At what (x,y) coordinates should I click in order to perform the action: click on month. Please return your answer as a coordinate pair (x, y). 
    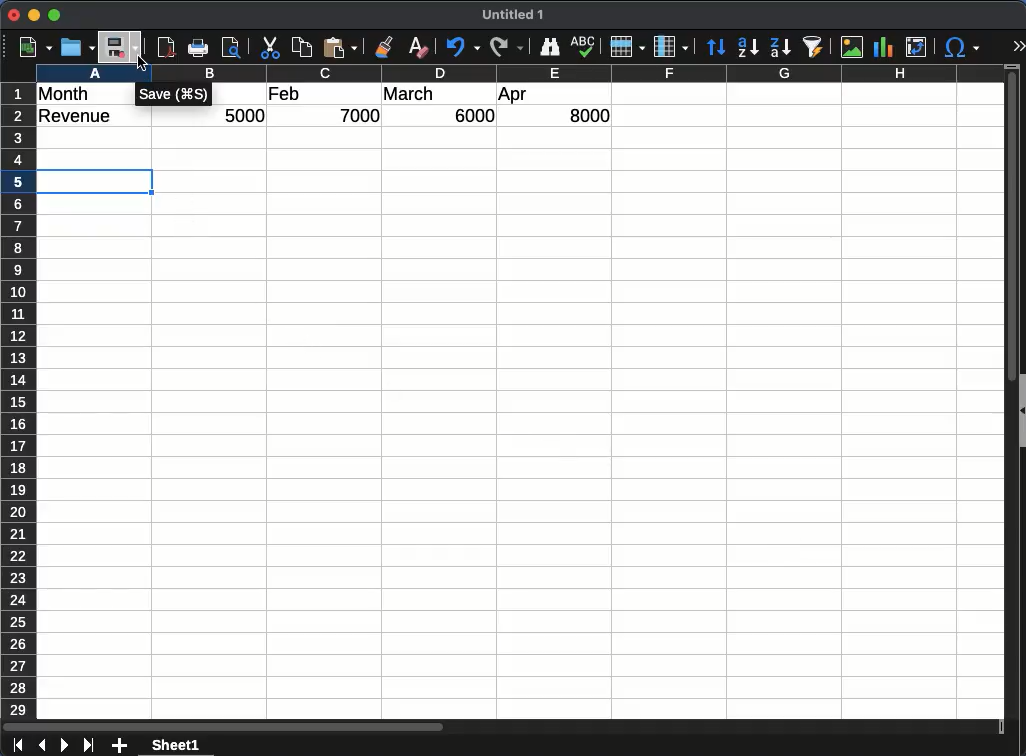
    Looking at the image, I should click on (63, 94).